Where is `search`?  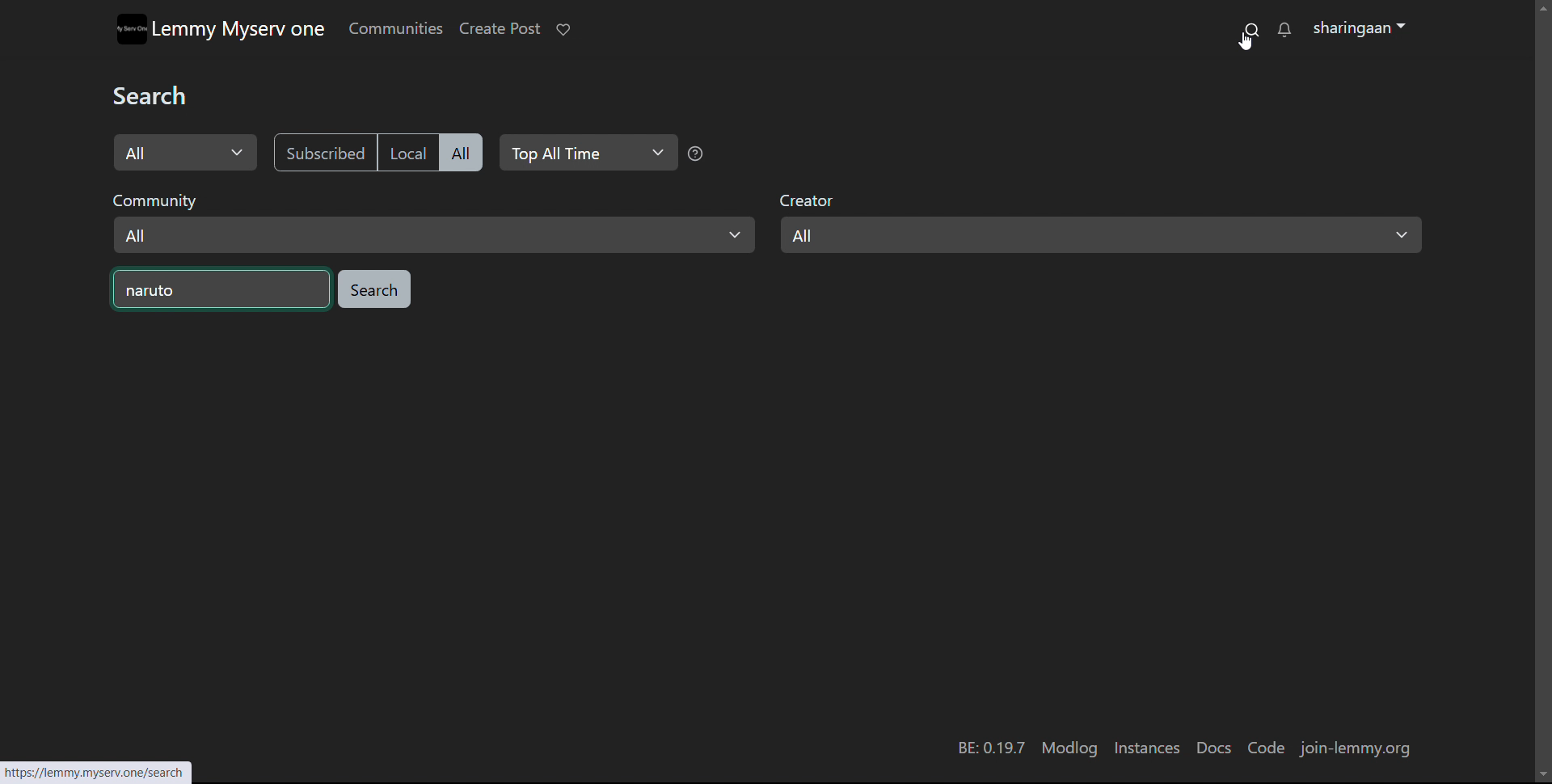
search is located at coordinates (1250, 28).